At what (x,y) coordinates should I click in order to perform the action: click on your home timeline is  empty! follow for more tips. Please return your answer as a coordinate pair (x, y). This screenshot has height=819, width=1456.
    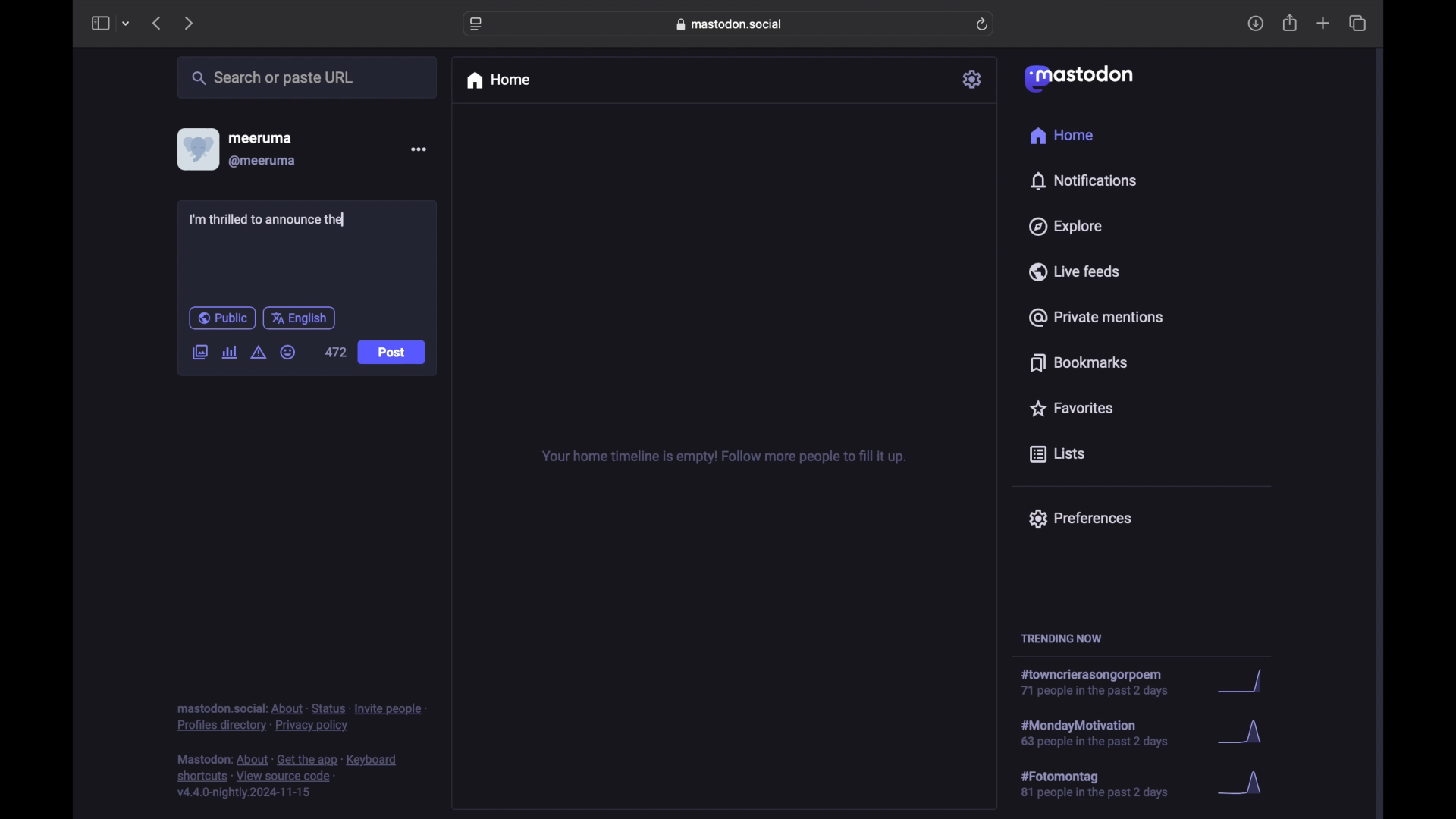
    Looking at the image, I should click on (722, 457).